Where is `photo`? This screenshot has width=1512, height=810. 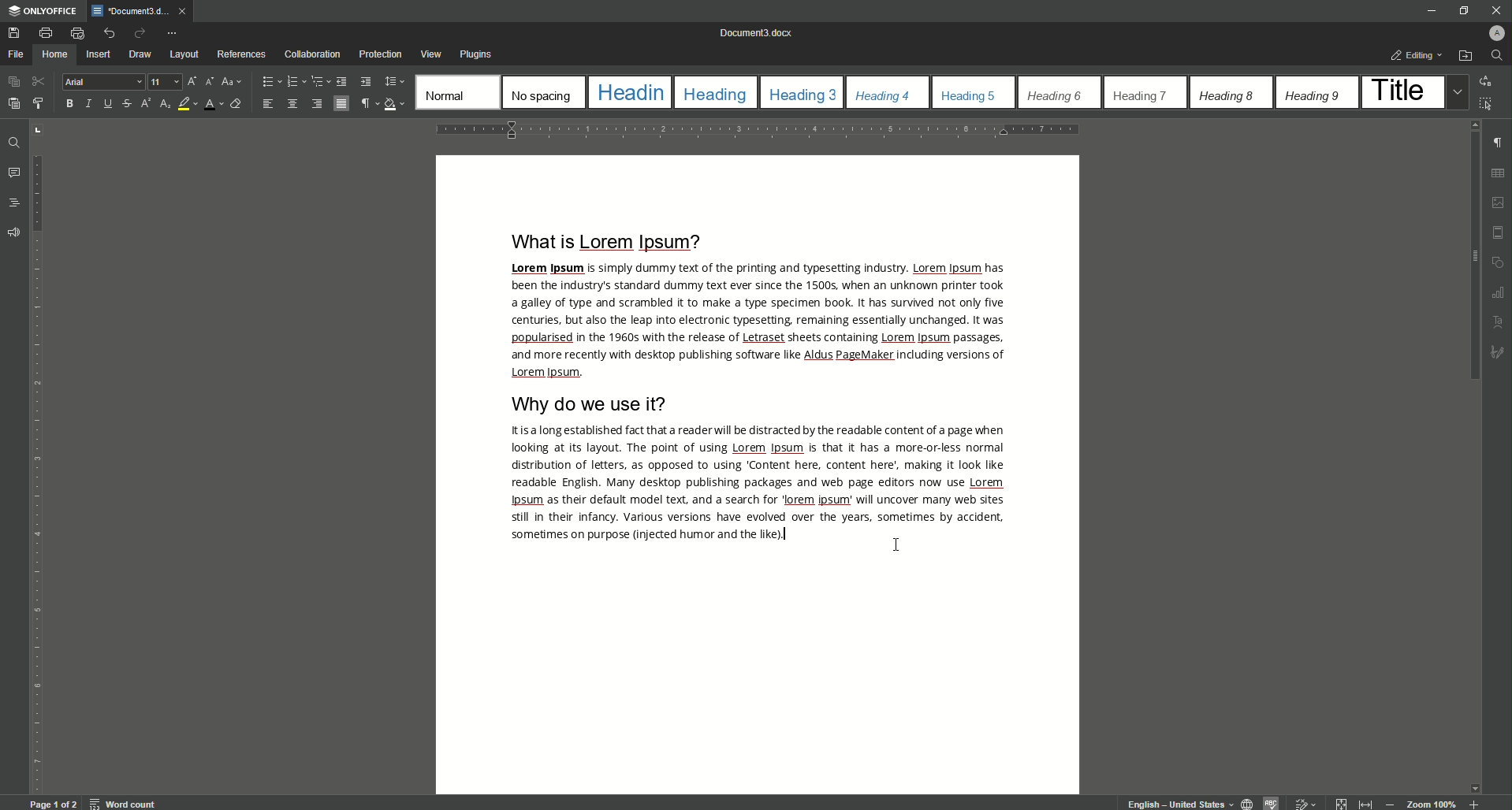 photo is located at coordinates (1499, 198).